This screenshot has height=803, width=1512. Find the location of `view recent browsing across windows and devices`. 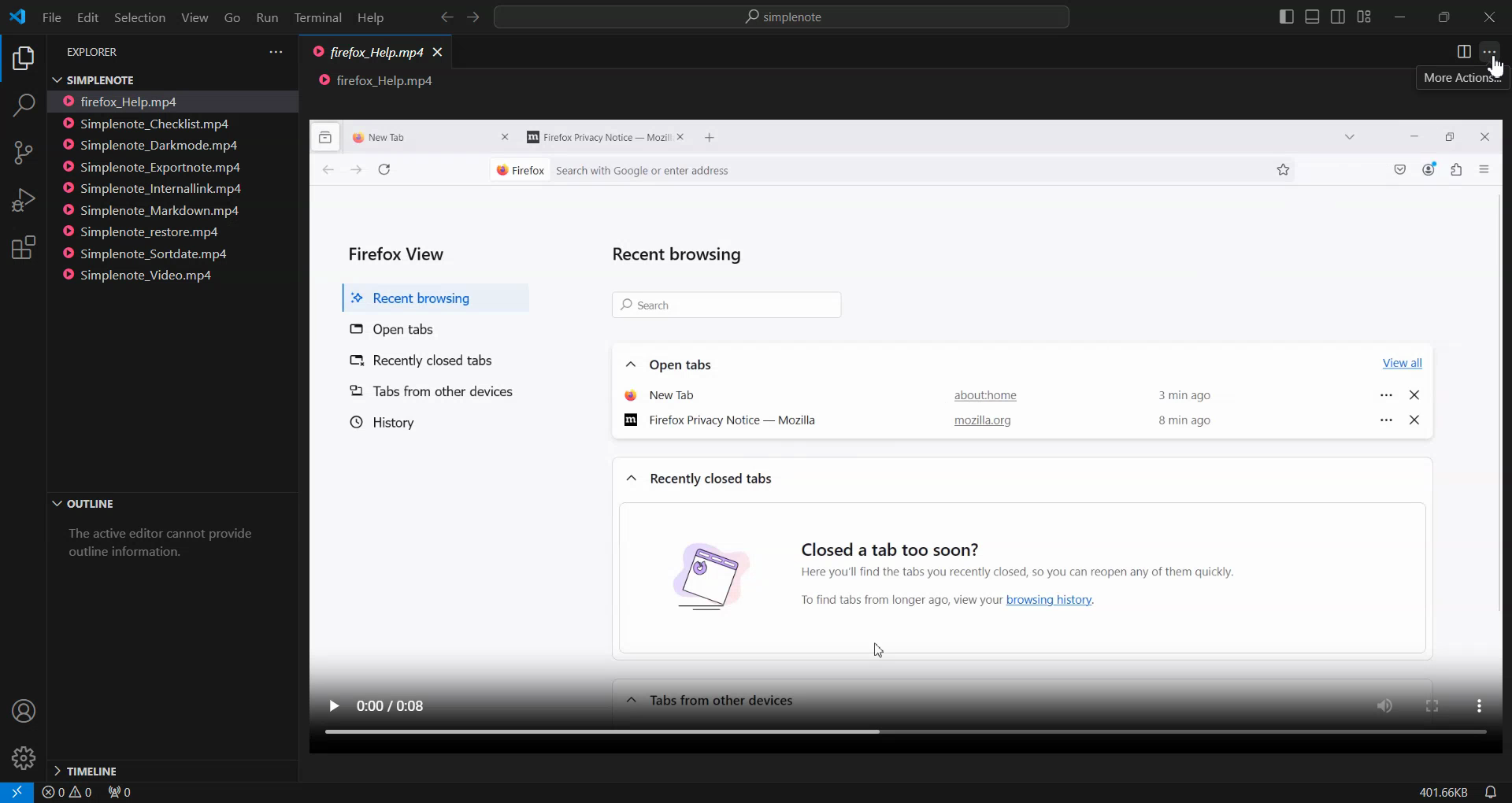

view recent browsing across windows and devices is located at coordinates (326, 137).